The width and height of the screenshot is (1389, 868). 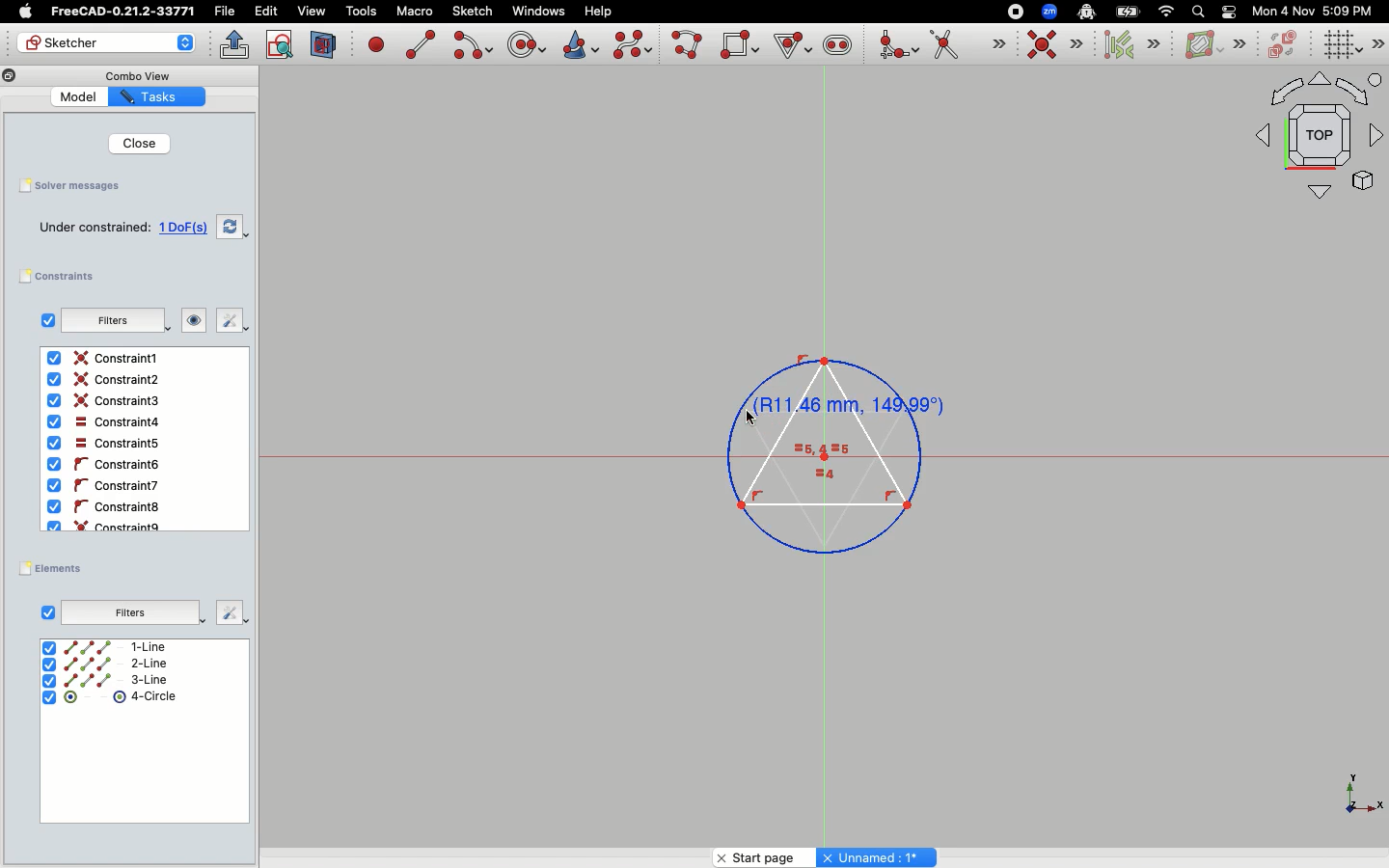 What do you see at coordinates (118, 664) in the screenshot?
I see `2-Line` at bounding box center [118, 664].